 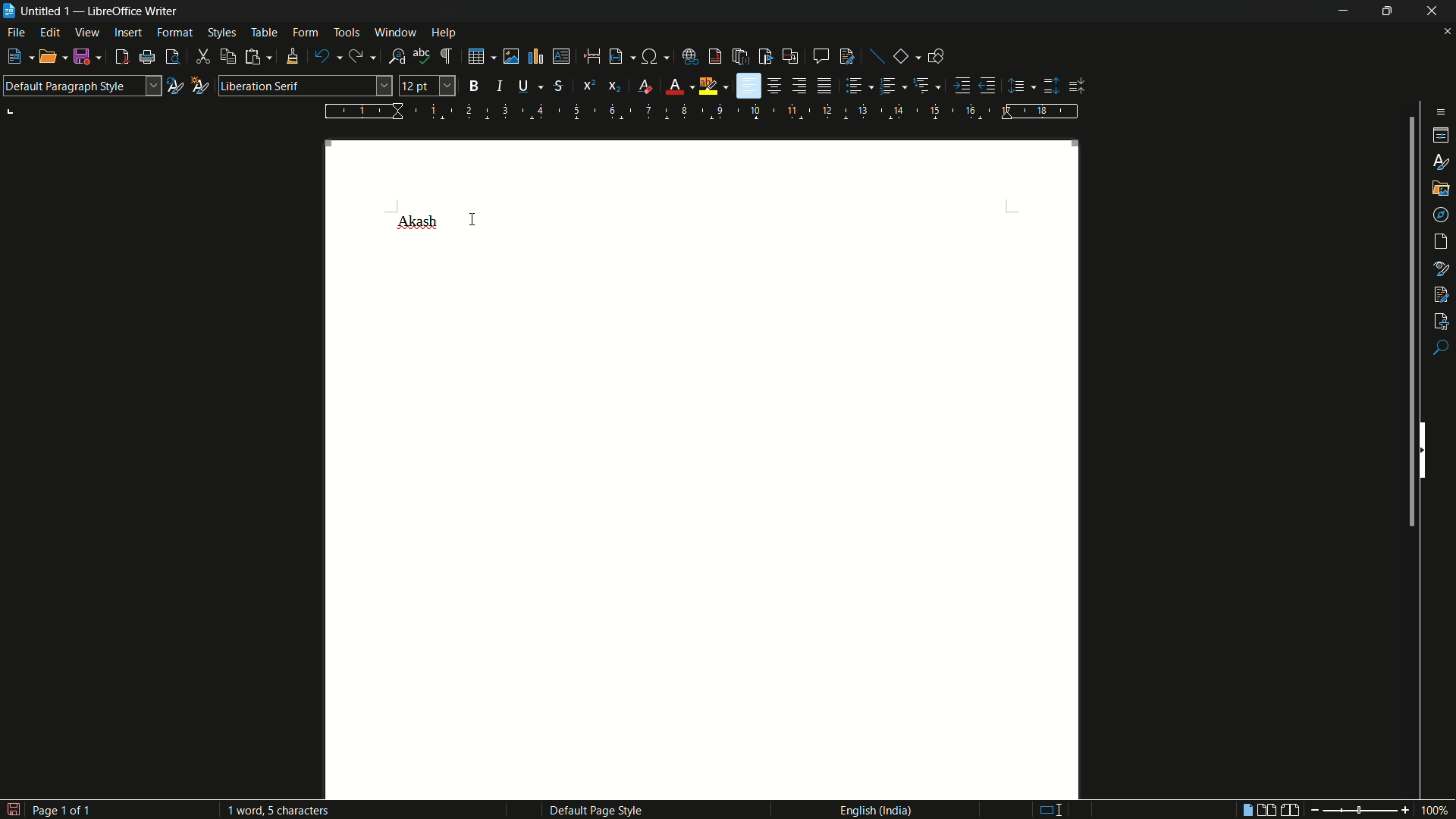 I want to click on decrease paragraph spacing, so click(x=1078, y=86).